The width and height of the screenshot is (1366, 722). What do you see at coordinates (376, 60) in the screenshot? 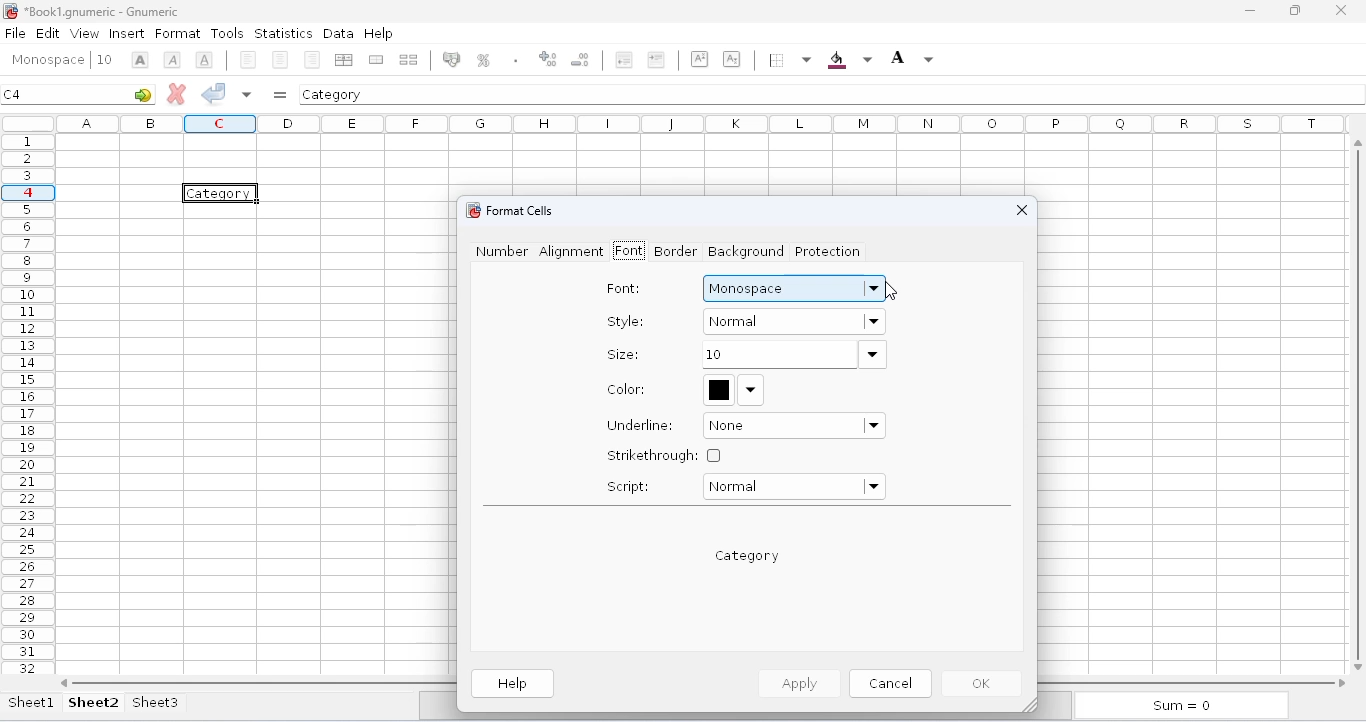
I see `merge a range of cells` at bounding box center [376, 60].